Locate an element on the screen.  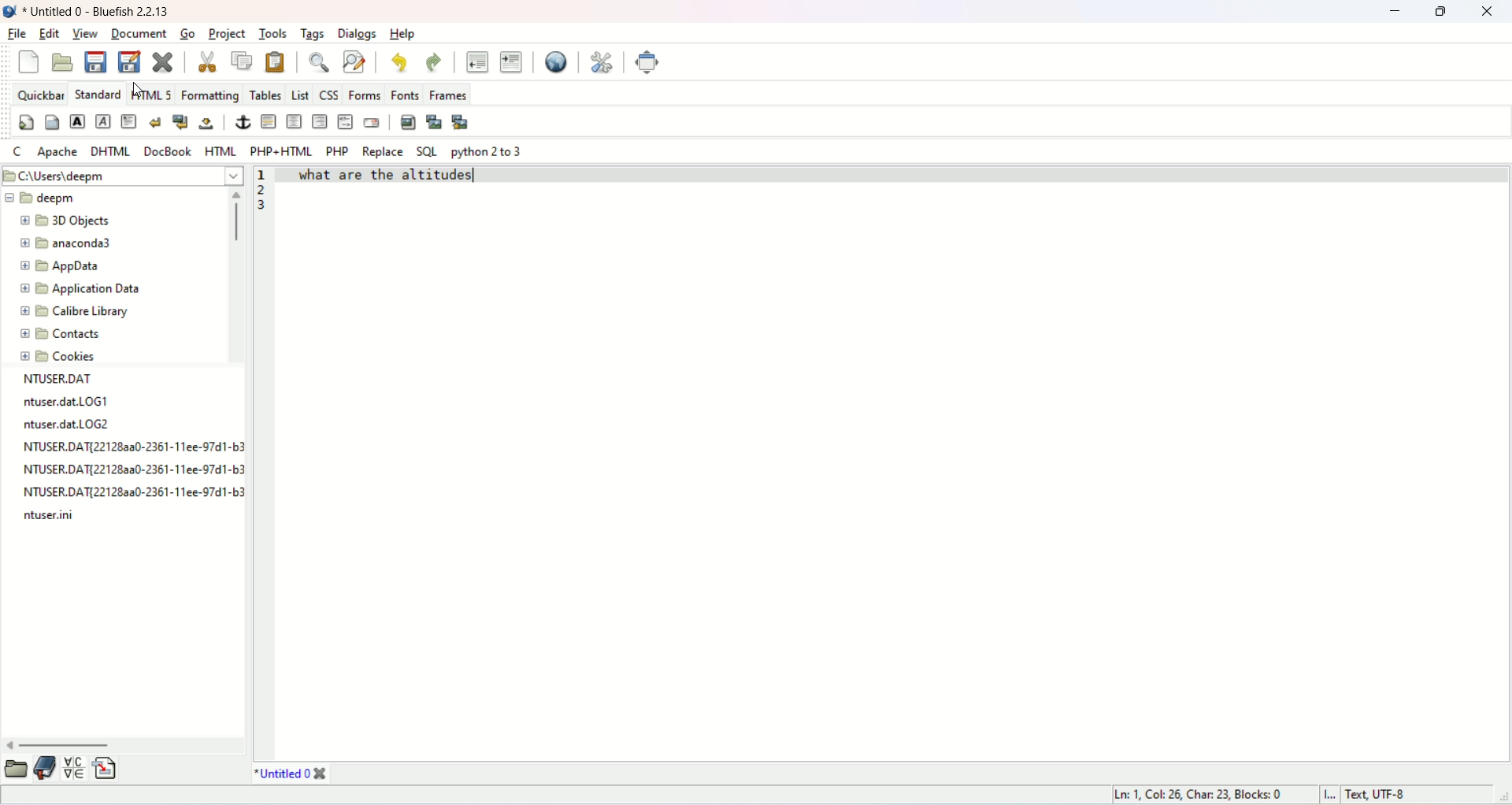
new is located at coordinates (25, 63).